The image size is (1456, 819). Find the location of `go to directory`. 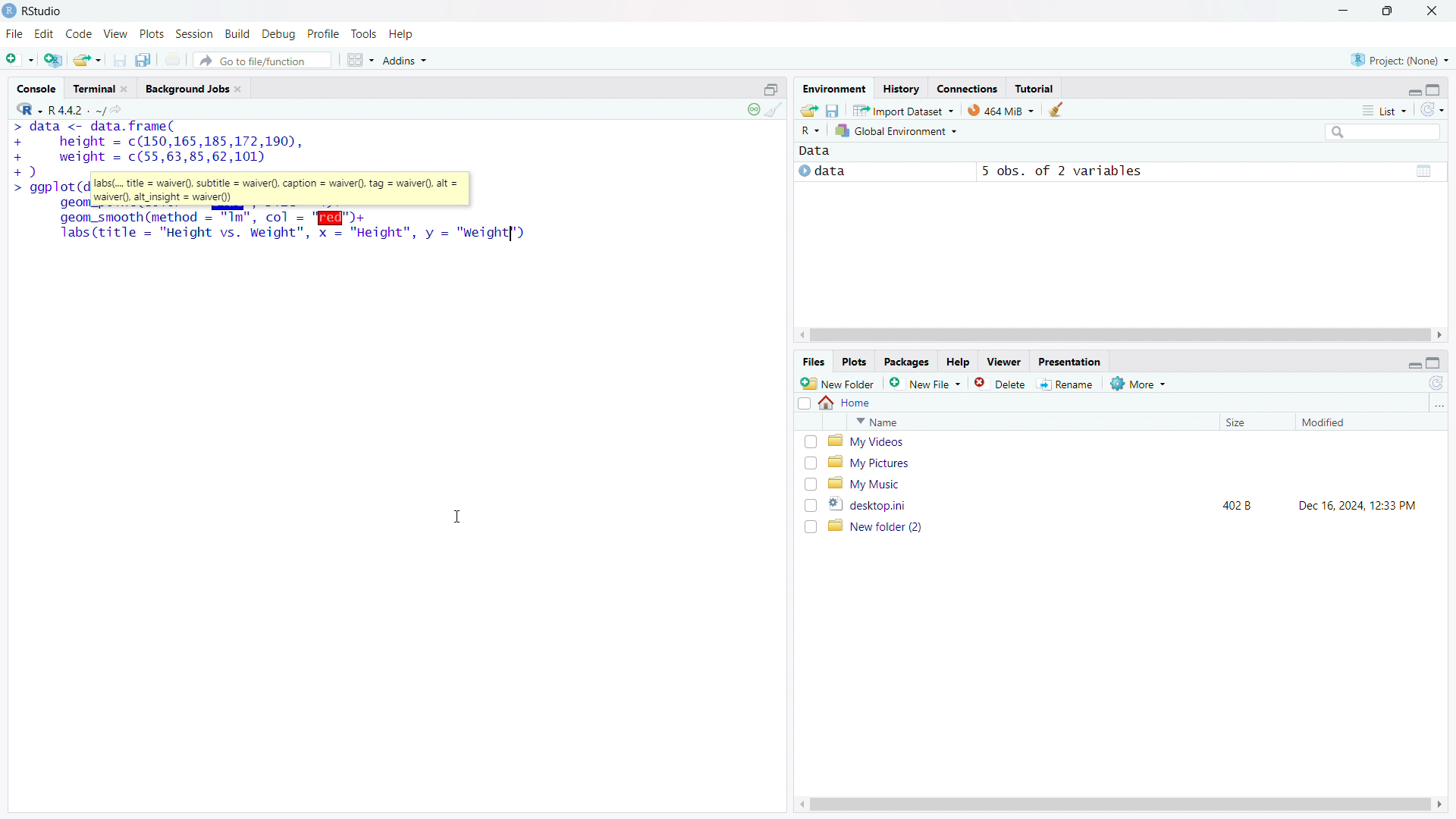

go to directory is located at coordinates (1438, 405).